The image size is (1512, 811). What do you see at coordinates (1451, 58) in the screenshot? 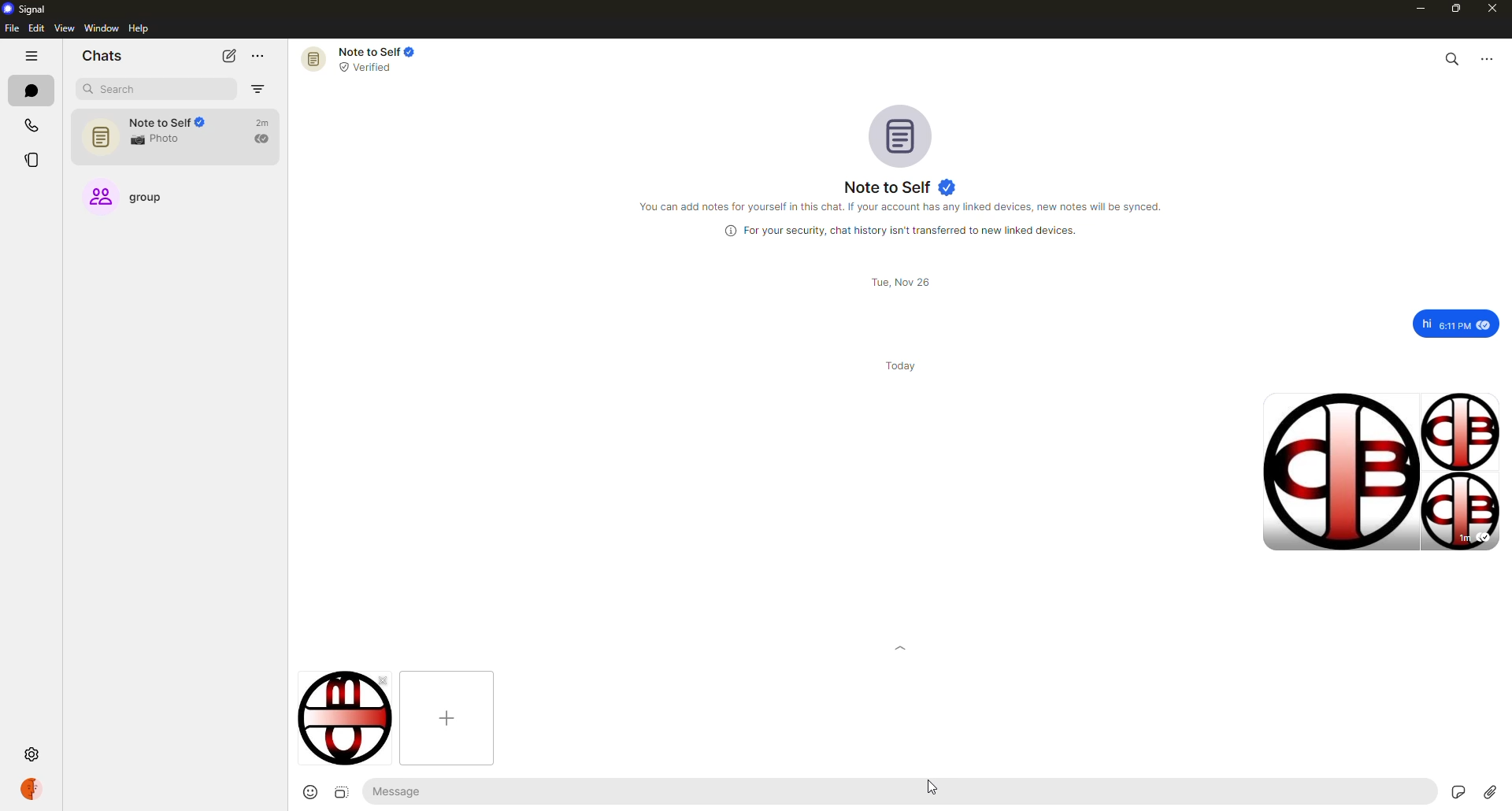
I see `search` at bounding box center [1451, 58].